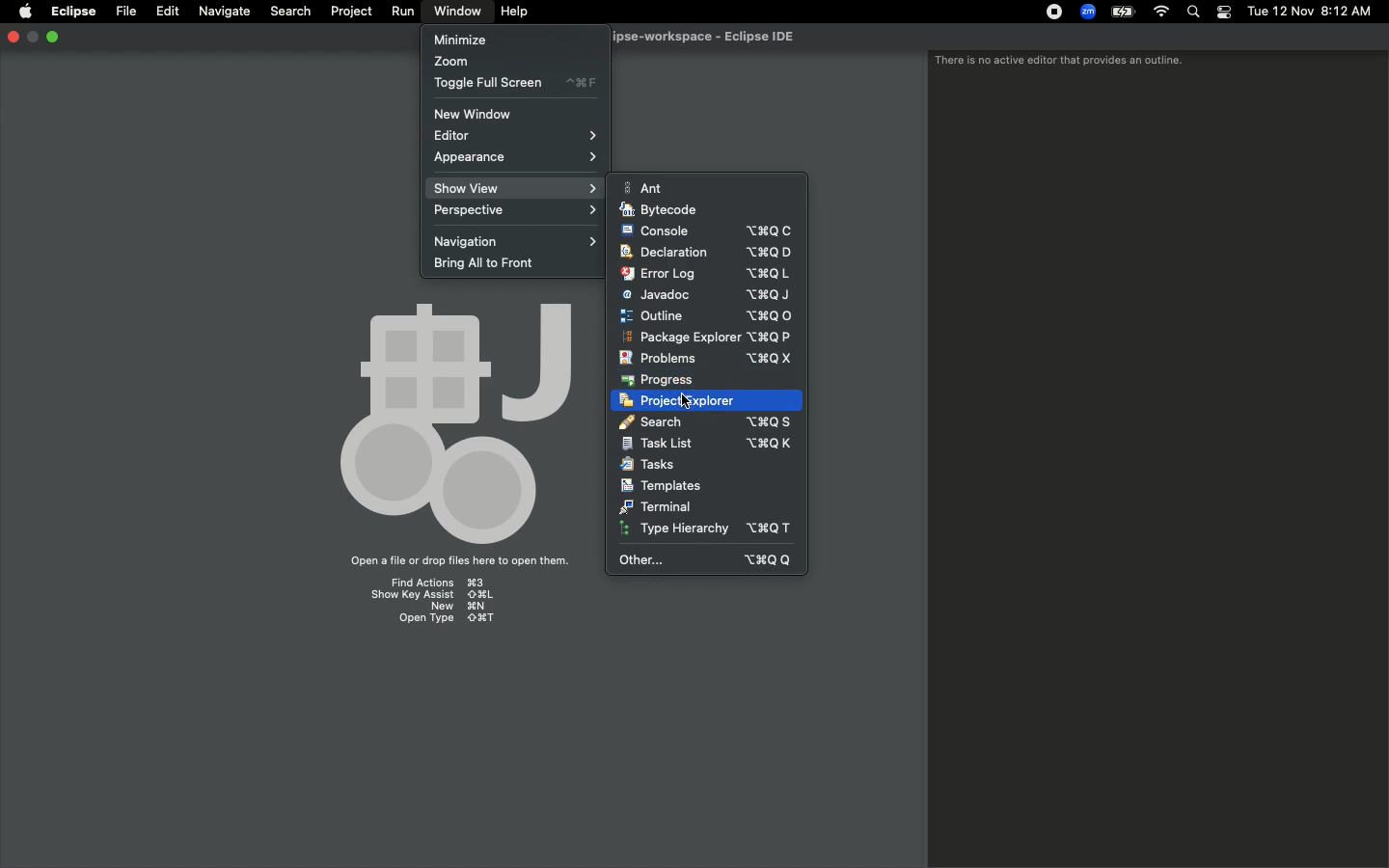 This screenshot has width=1389, height=868. What do you see at coordinates (1195, 13) in the screenshot?
I see `Search` at bounding box center [1195, 13].